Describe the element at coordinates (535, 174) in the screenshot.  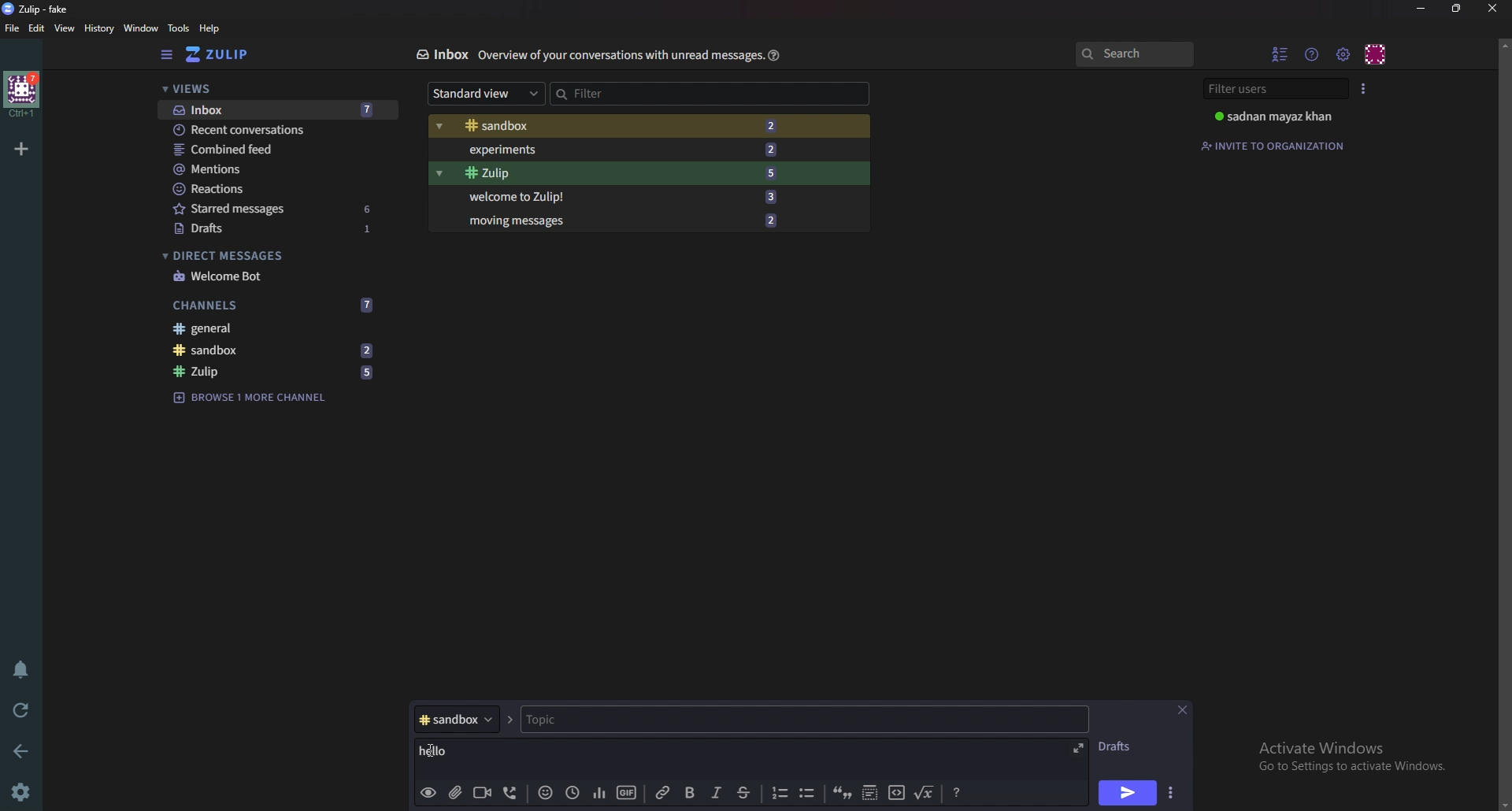
I see `# Zulip` at that location.